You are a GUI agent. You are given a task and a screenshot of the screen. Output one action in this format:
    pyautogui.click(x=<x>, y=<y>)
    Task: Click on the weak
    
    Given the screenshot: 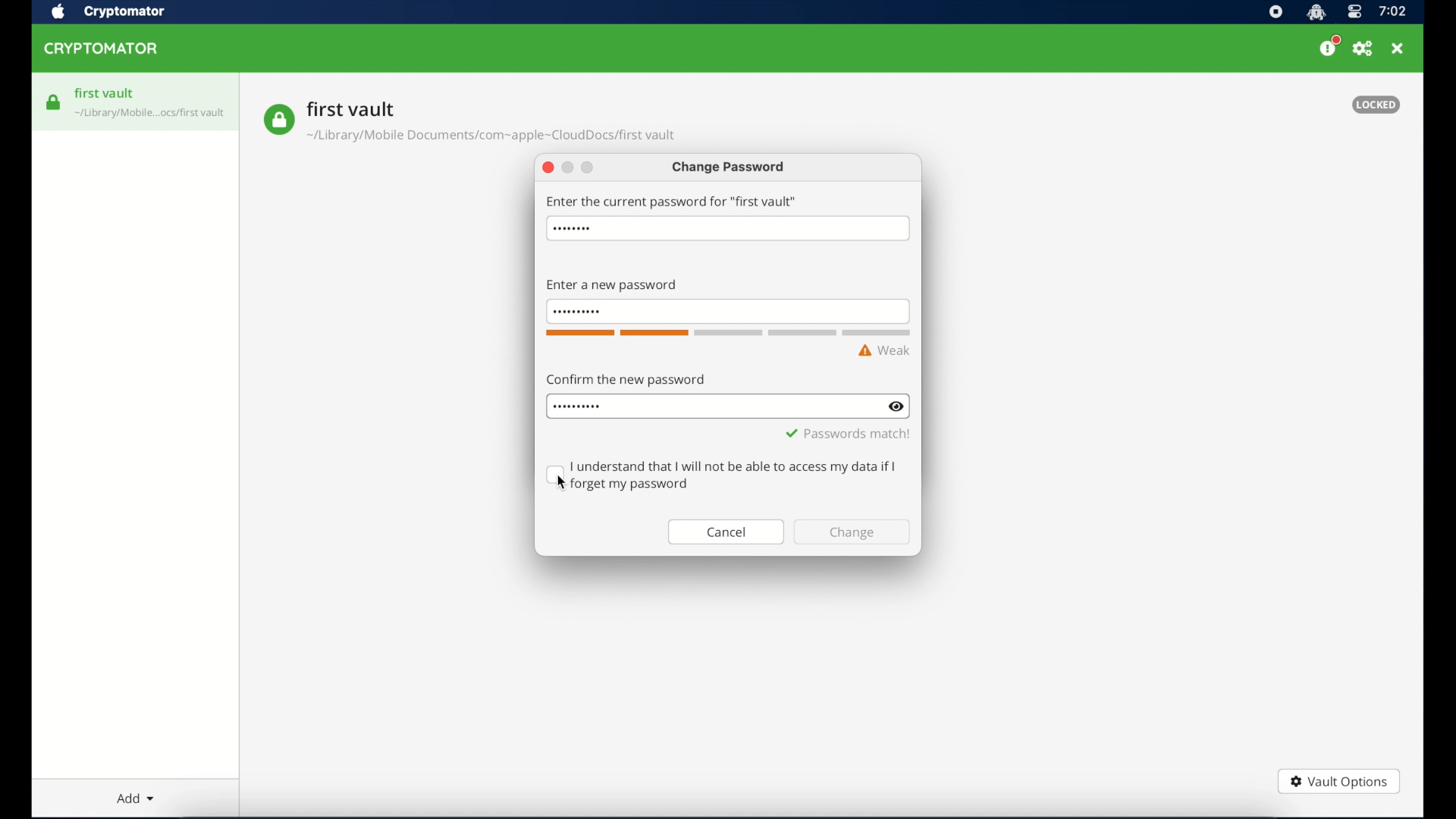 What is the action you would take?
    pyautogui.click(x=884, y=351)
    